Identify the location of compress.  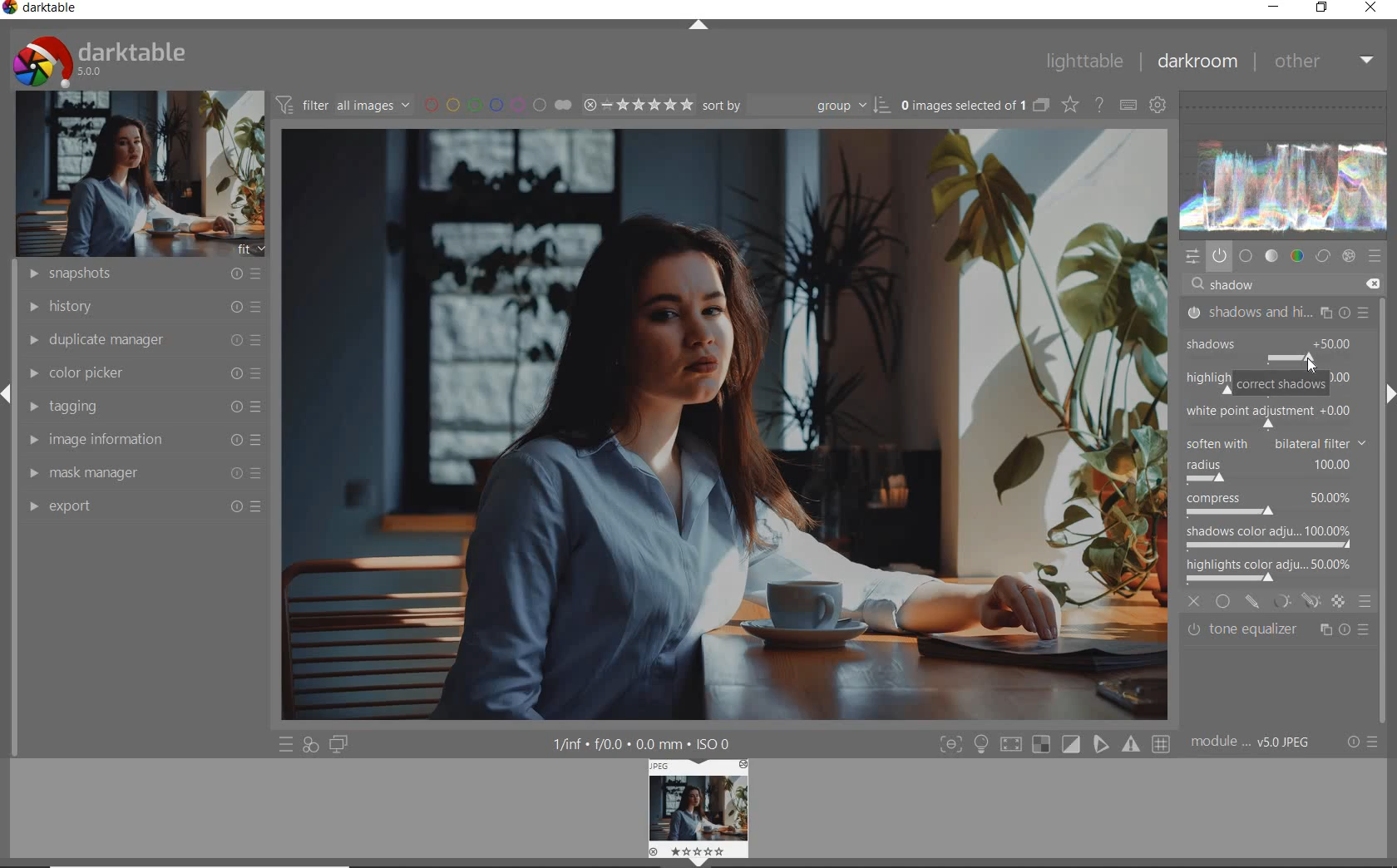
(1271, 506).